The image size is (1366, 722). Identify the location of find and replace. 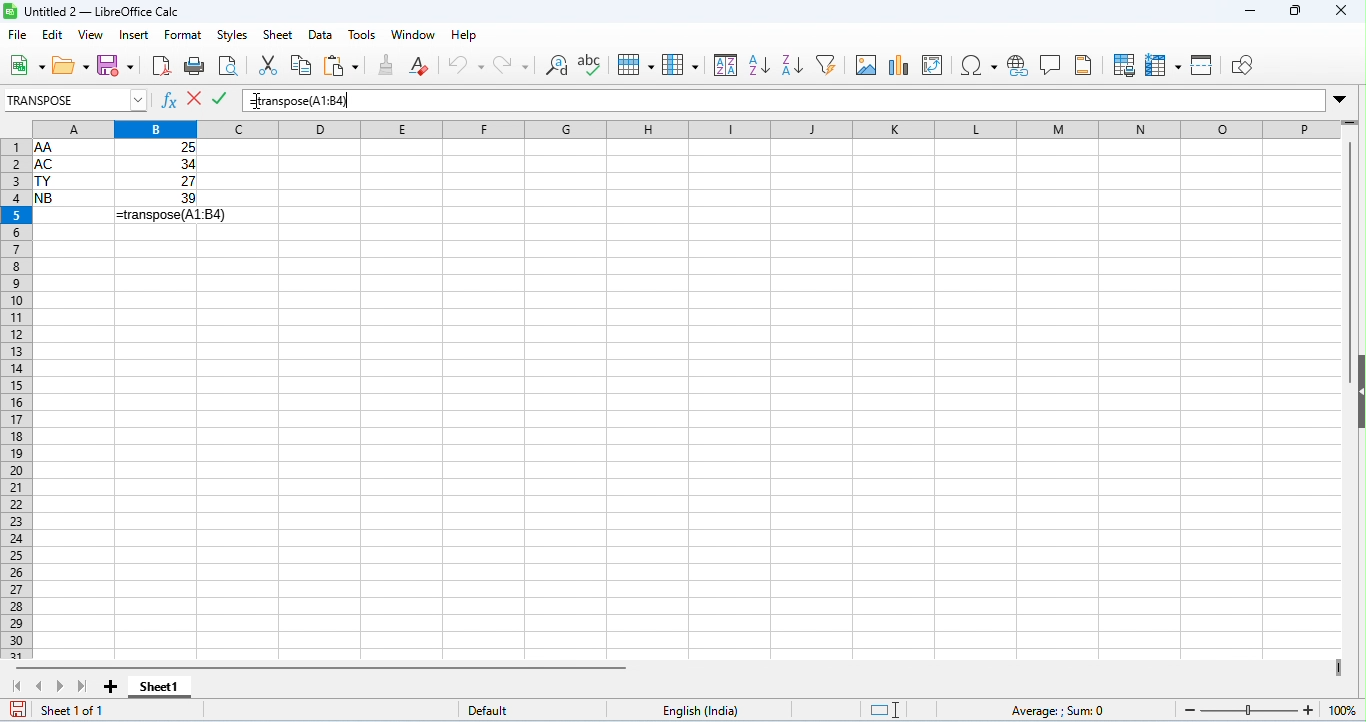
(559, 65).